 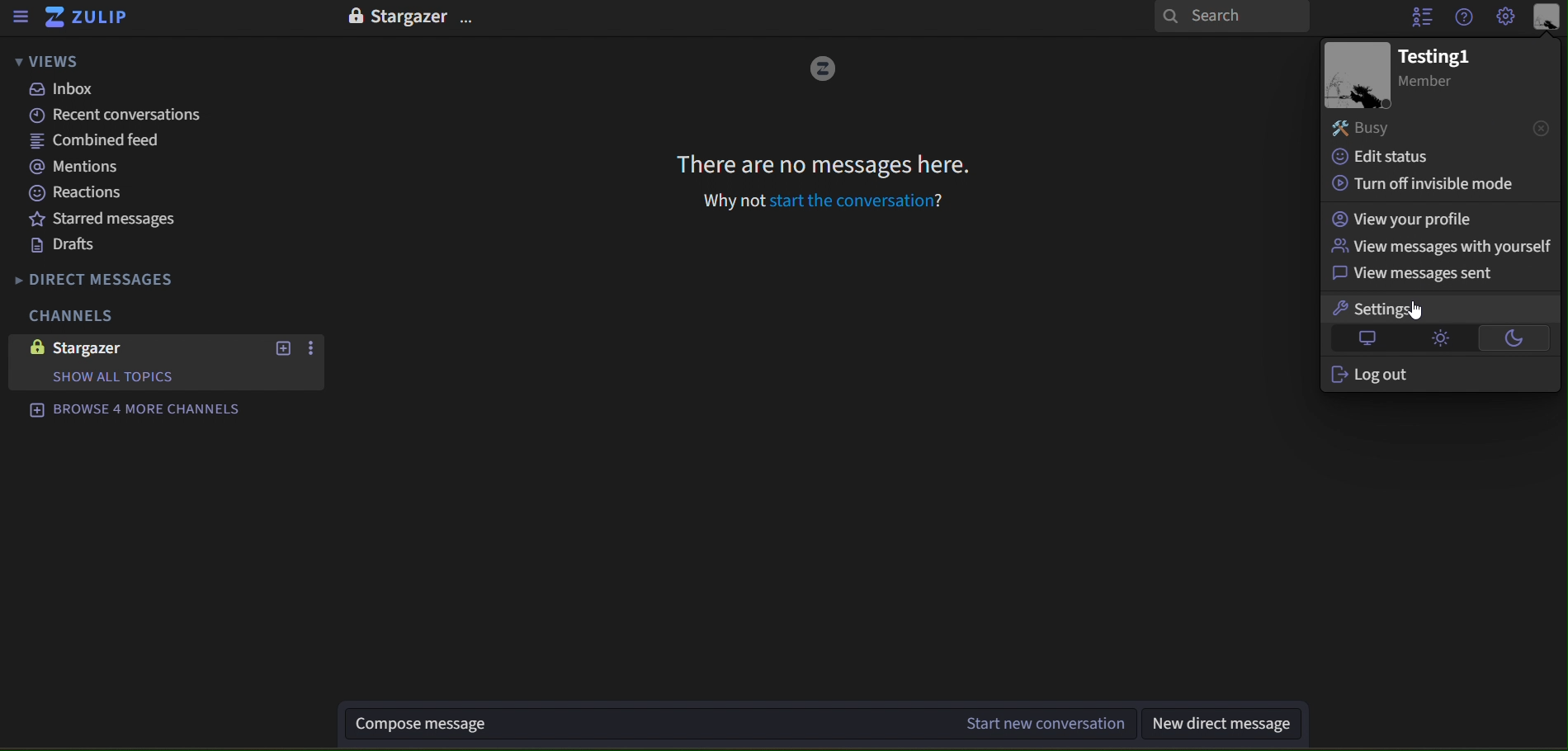 What do you see at coordinates (1043, 724) in the screenshot?
I see `Start new conversation` at bounding box center [1043, 724].